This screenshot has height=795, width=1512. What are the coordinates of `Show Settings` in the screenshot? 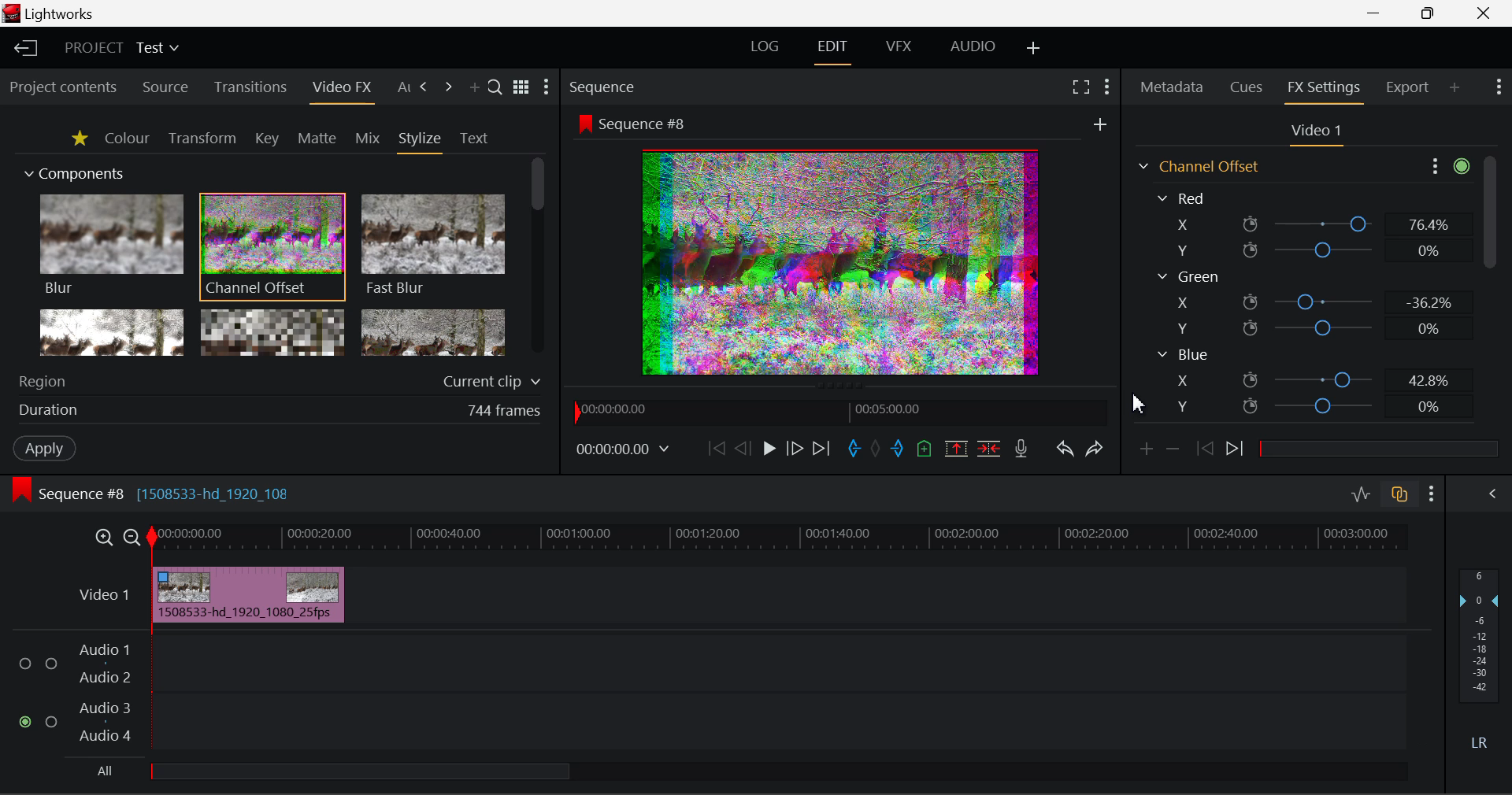 It's located at (1431, 494).